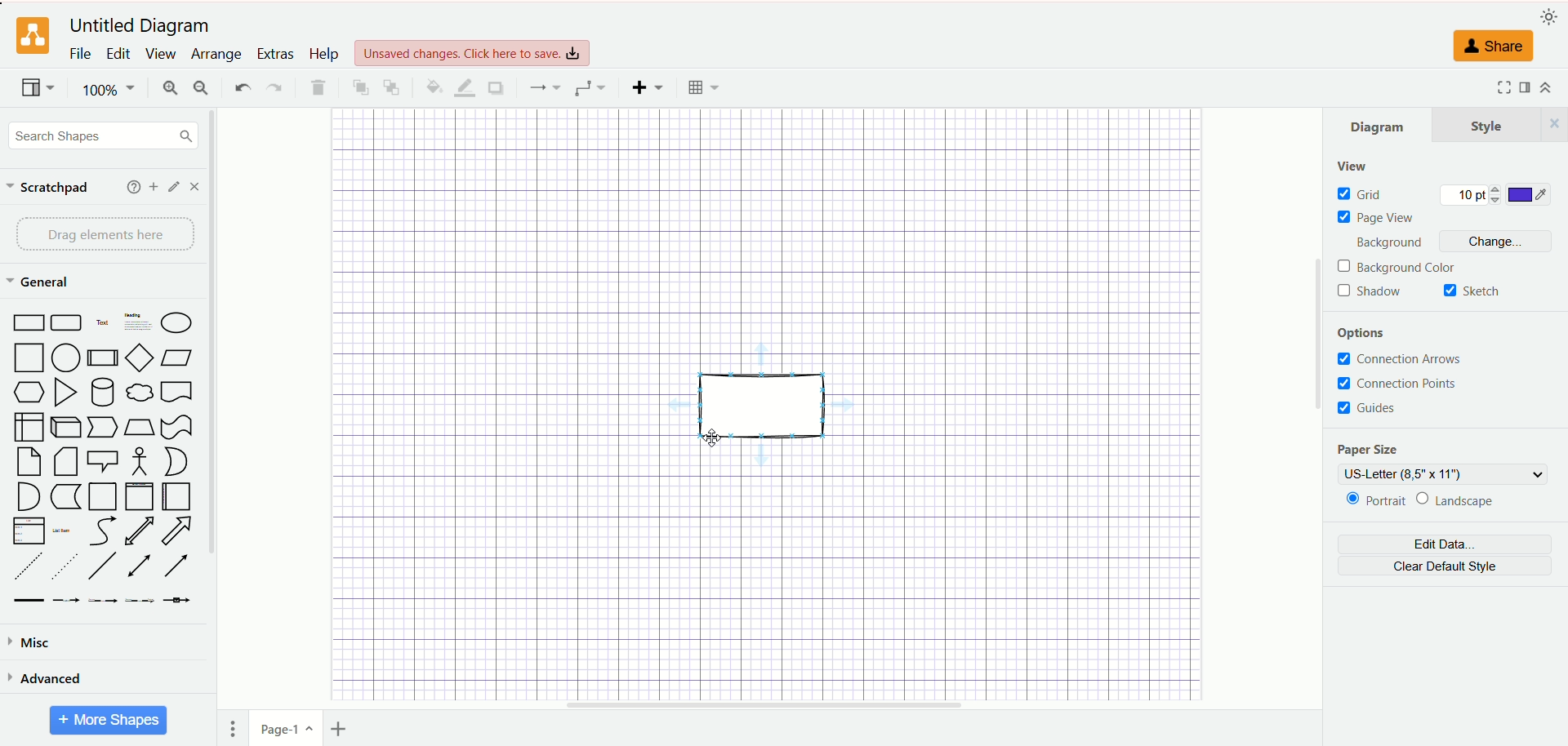  Describe the element at coordinates (1353, 166) in the screenshot. I see `view` at that location.